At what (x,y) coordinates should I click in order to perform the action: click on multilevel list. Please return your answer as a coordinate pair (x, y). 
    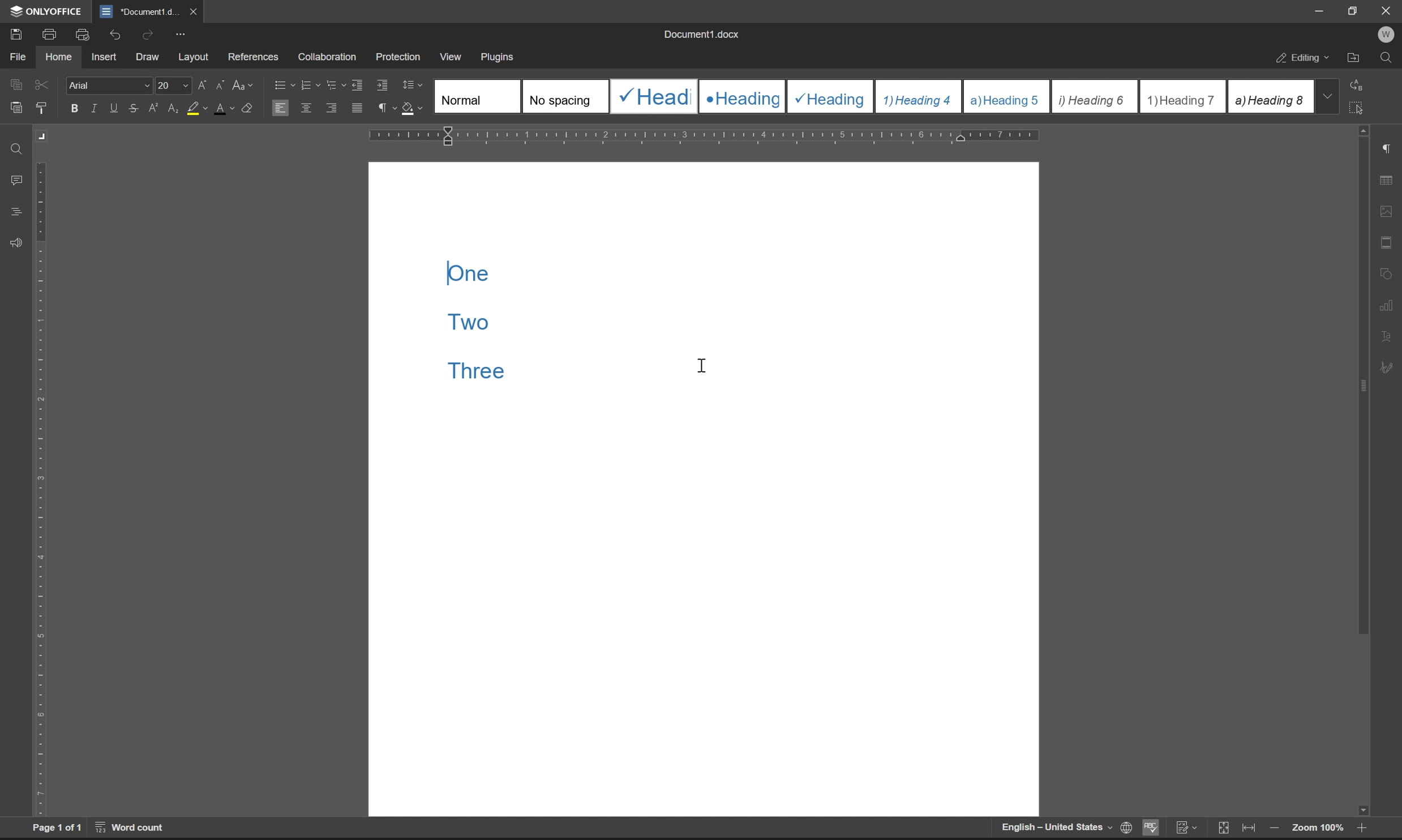
    Looking at the image, I should click on (337, 84).